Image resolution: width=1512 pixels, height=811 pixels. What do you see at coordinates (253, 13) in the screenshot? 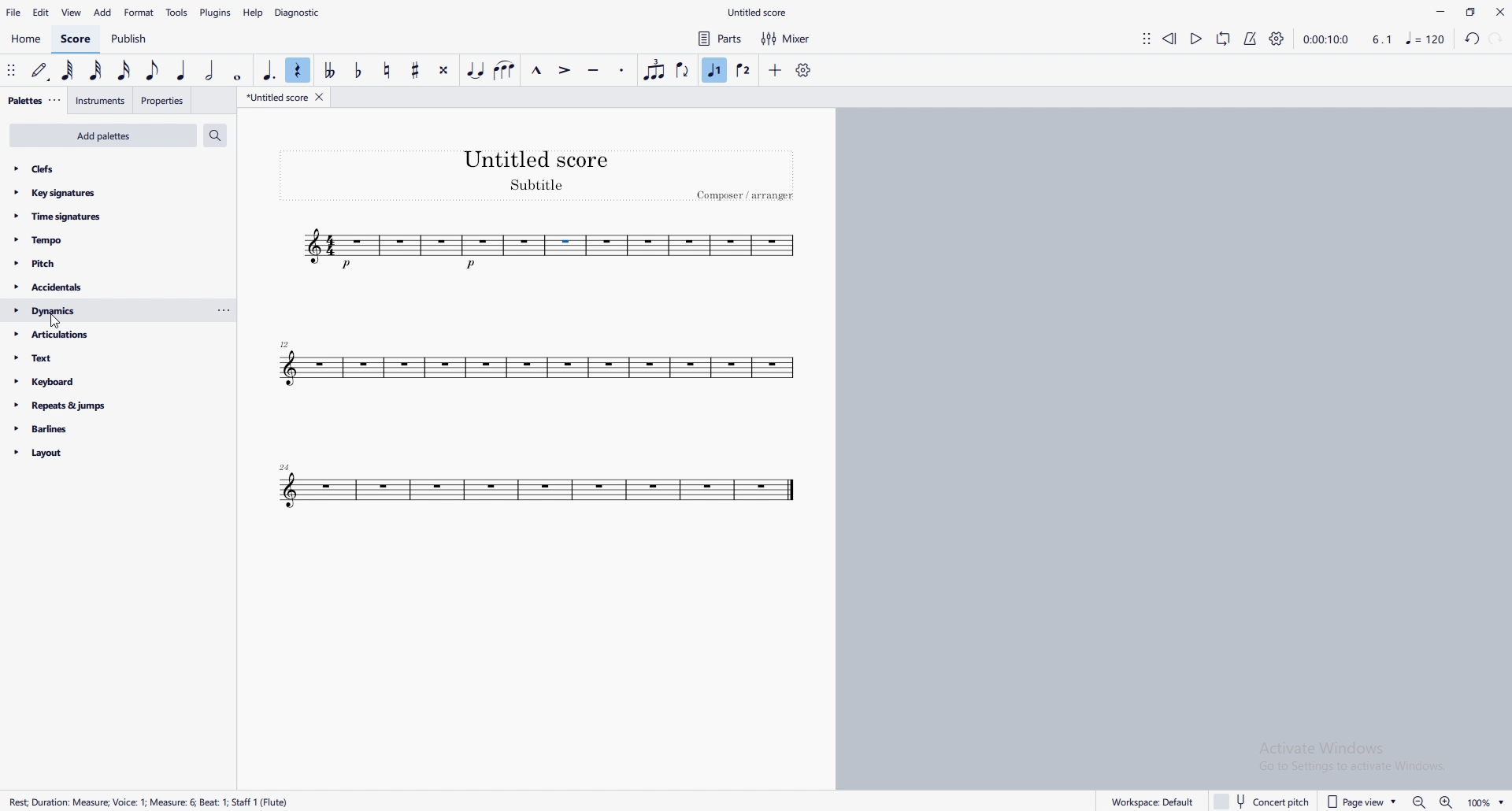
I see `help` at bounding box center [253, 13].